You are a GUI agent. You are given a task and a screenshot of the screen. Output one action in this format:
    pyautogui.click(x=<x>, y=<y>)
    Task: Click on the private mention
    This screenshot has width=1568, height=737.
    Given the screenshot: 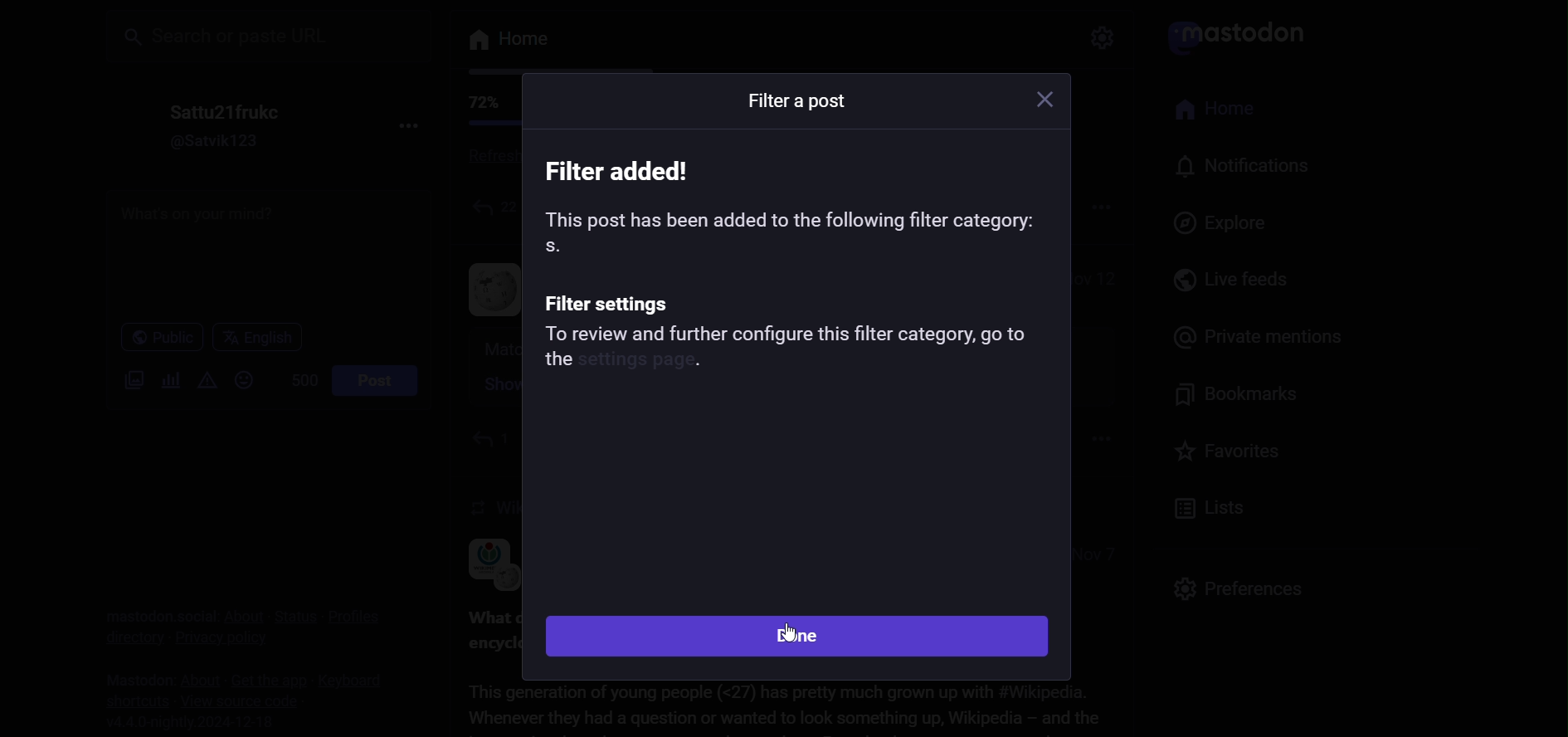 What is the action you would take?
    pyautogui.click(x=1248, y=334)
    